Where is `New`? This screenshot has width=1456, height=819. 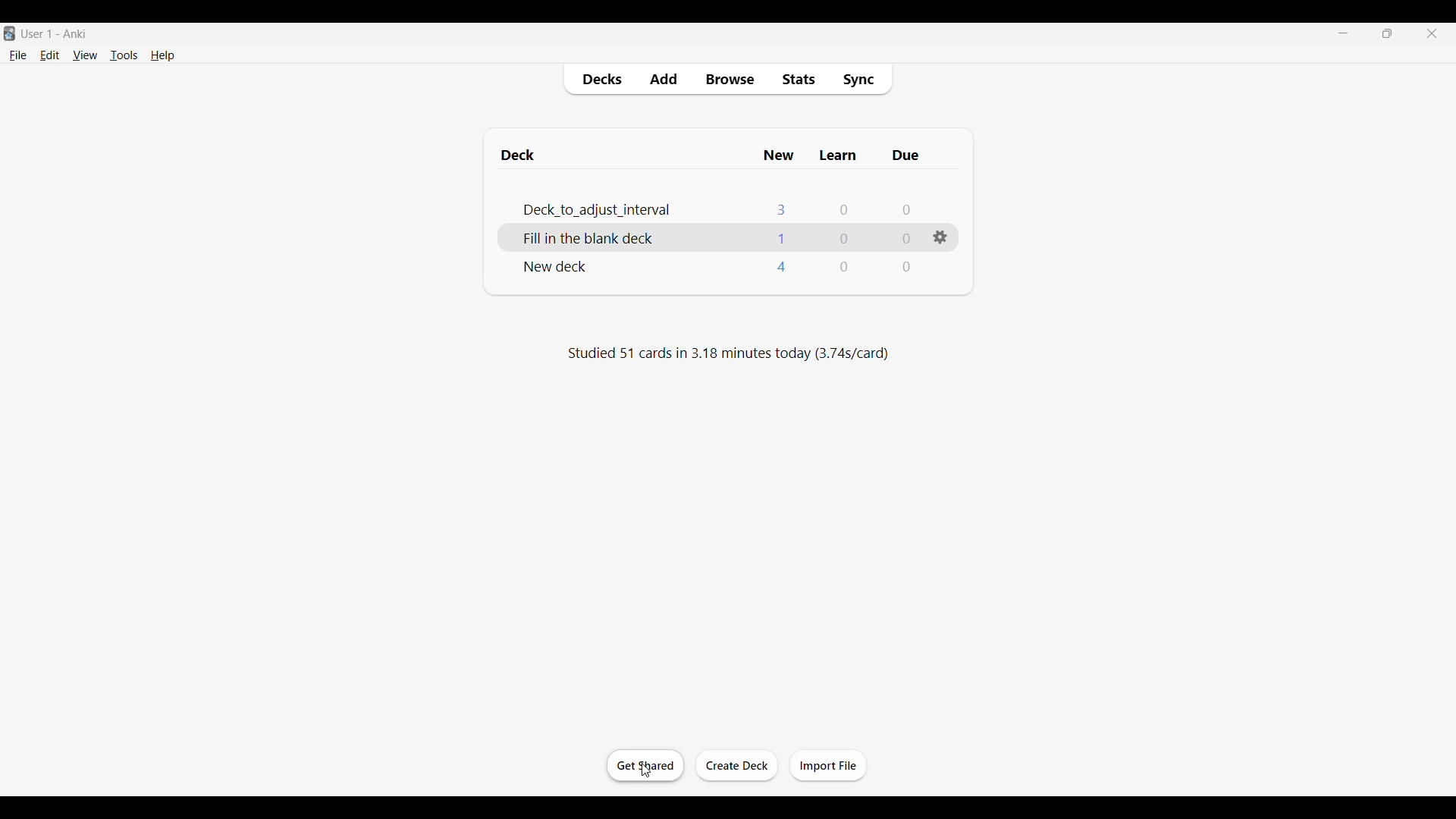 New is located at coordinates (779, 158).